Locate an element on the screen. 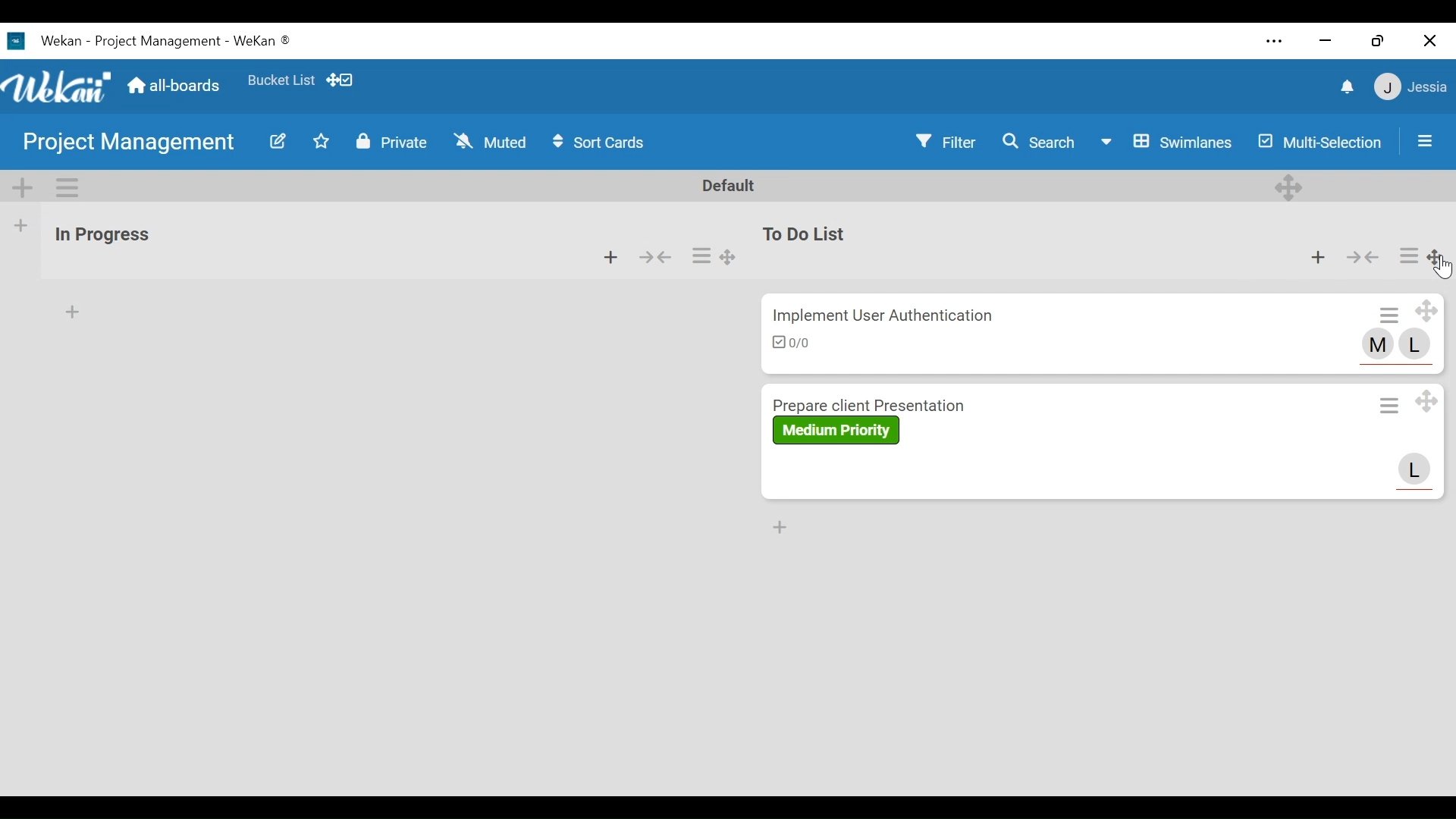 Image resolution: width=1456 pixels, height=819 pixels. Private is located at coordinates (394, 143).